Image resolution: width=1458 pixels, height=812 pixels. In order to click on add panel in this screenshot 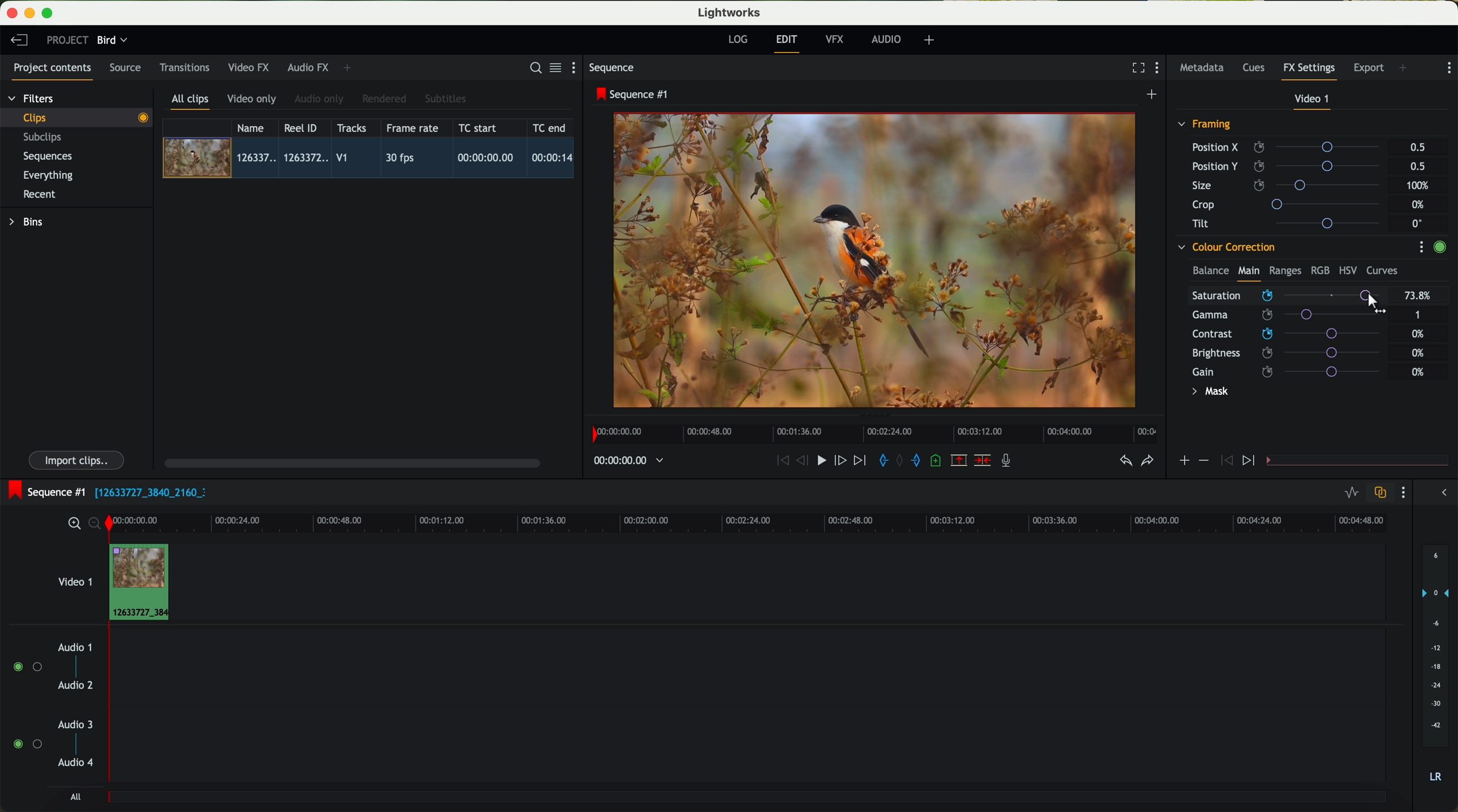, I will do `click(1406, 69)`.